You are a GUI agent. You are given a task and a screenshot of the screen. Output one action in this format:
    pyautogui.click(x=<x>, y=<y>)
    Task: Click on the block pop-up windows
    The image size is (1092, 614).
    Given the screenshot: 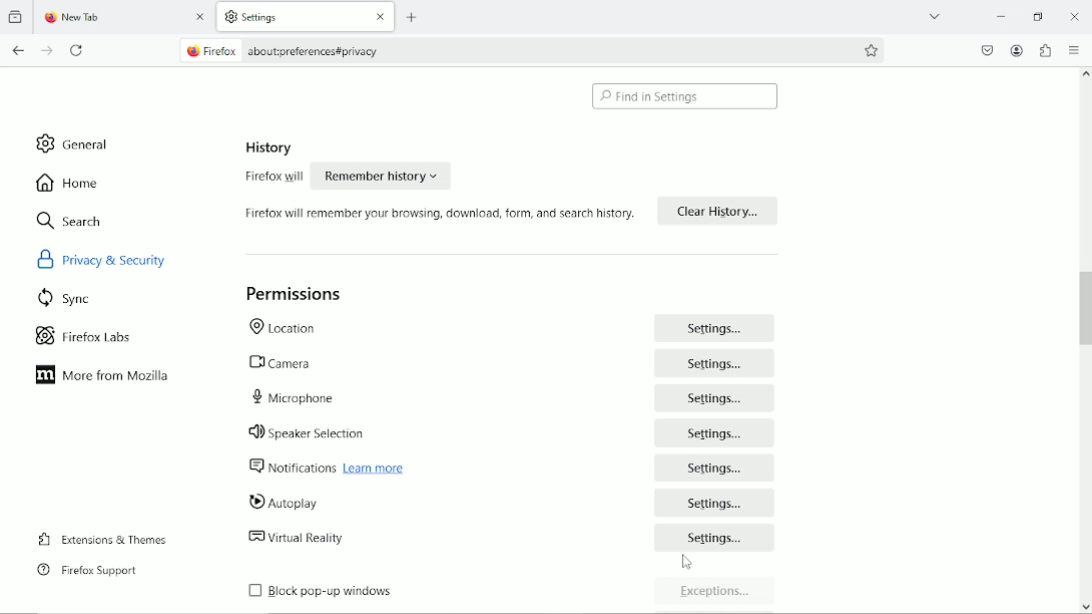 What is the action you would take?
    pyautogui.click(x=387, y=594)
    